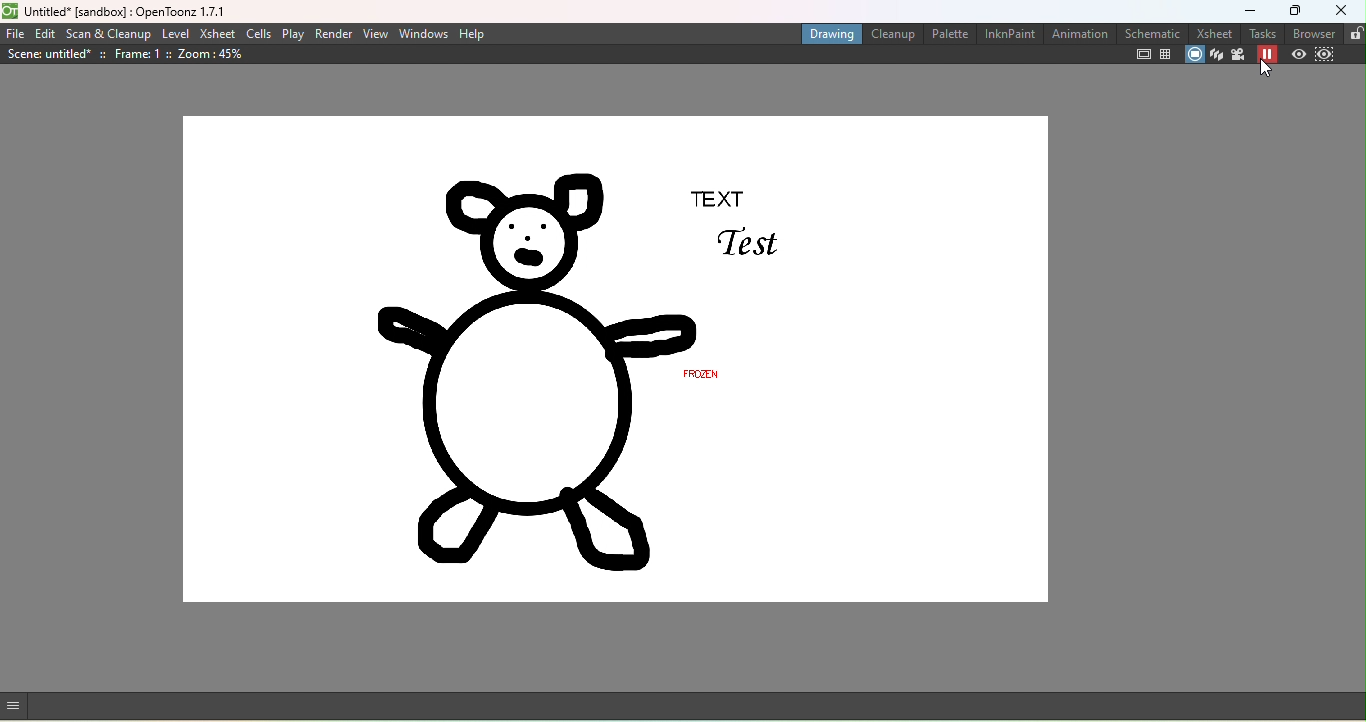  What do you see at coordinates (826, 34) in the screenshot?
I see `Drawing` at bounding box center [826, 34].